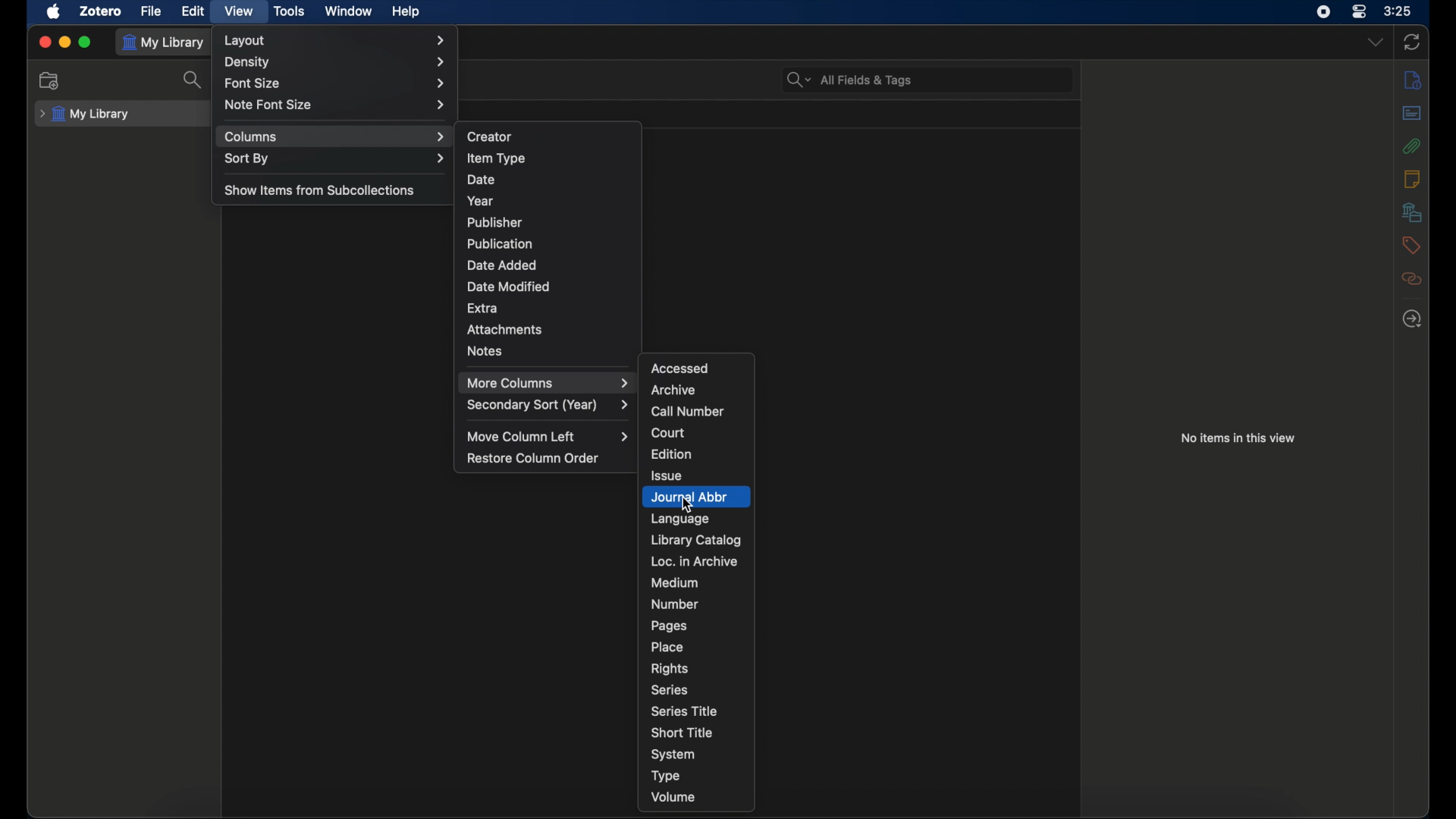 Image resolution: width=1456 pixels, height=819 pixels. What do you see at coordinates (1411, 177) in the screenshot?
I see `notes` at bounding box center [1411, 177].